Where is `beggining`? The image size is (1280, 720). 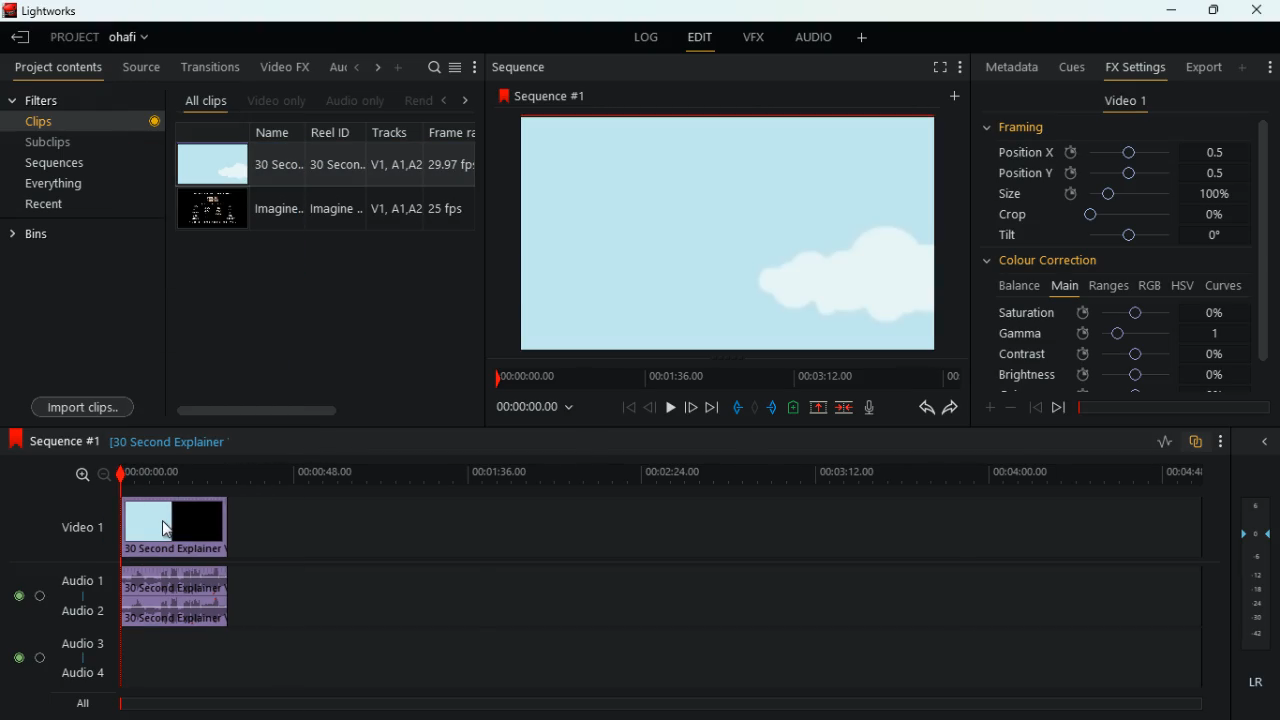
beggining is located at coordinates (1034, 406).